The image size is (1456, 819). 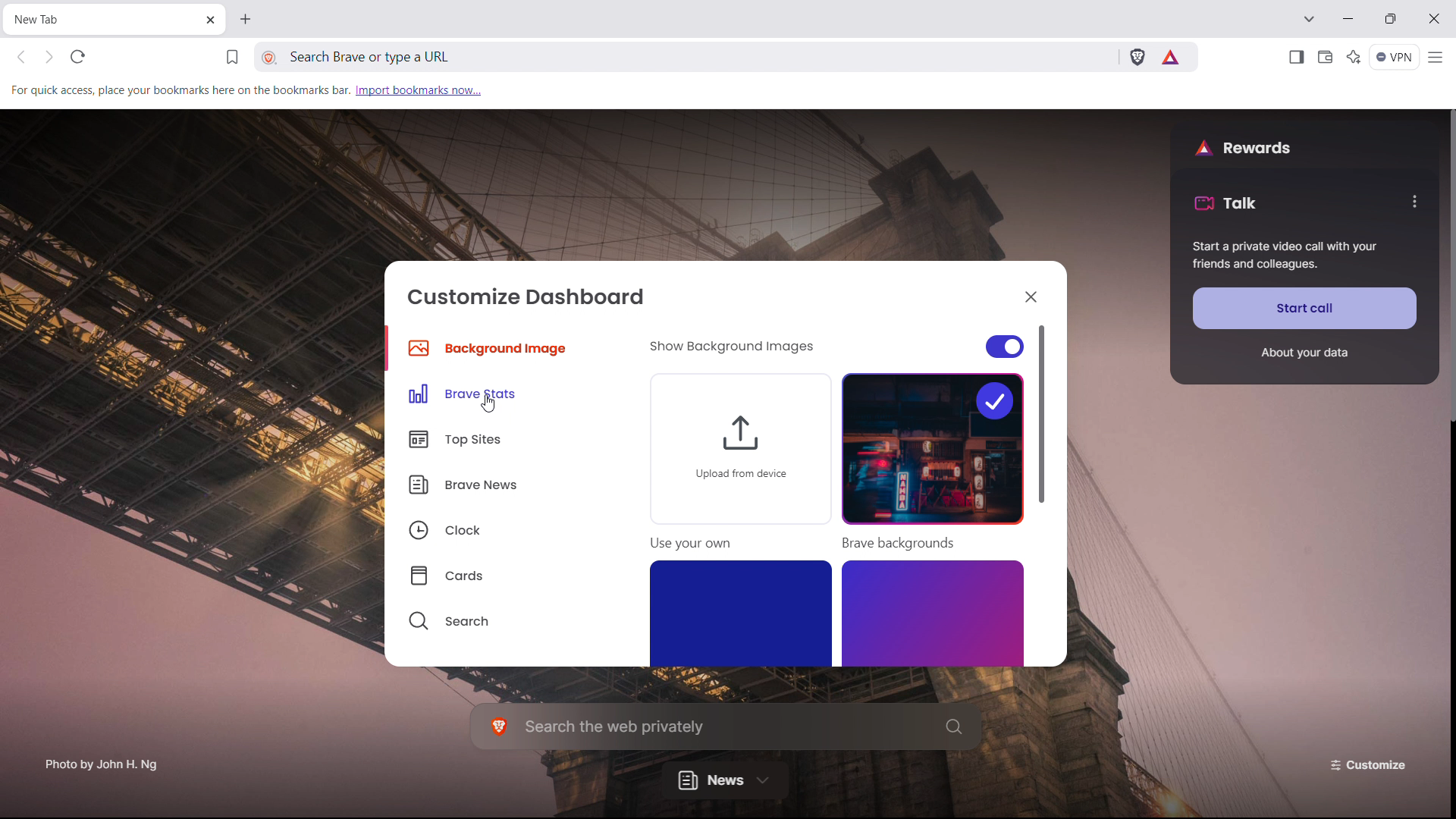 I want to click on leo AI, so click(x=1354, y=57).